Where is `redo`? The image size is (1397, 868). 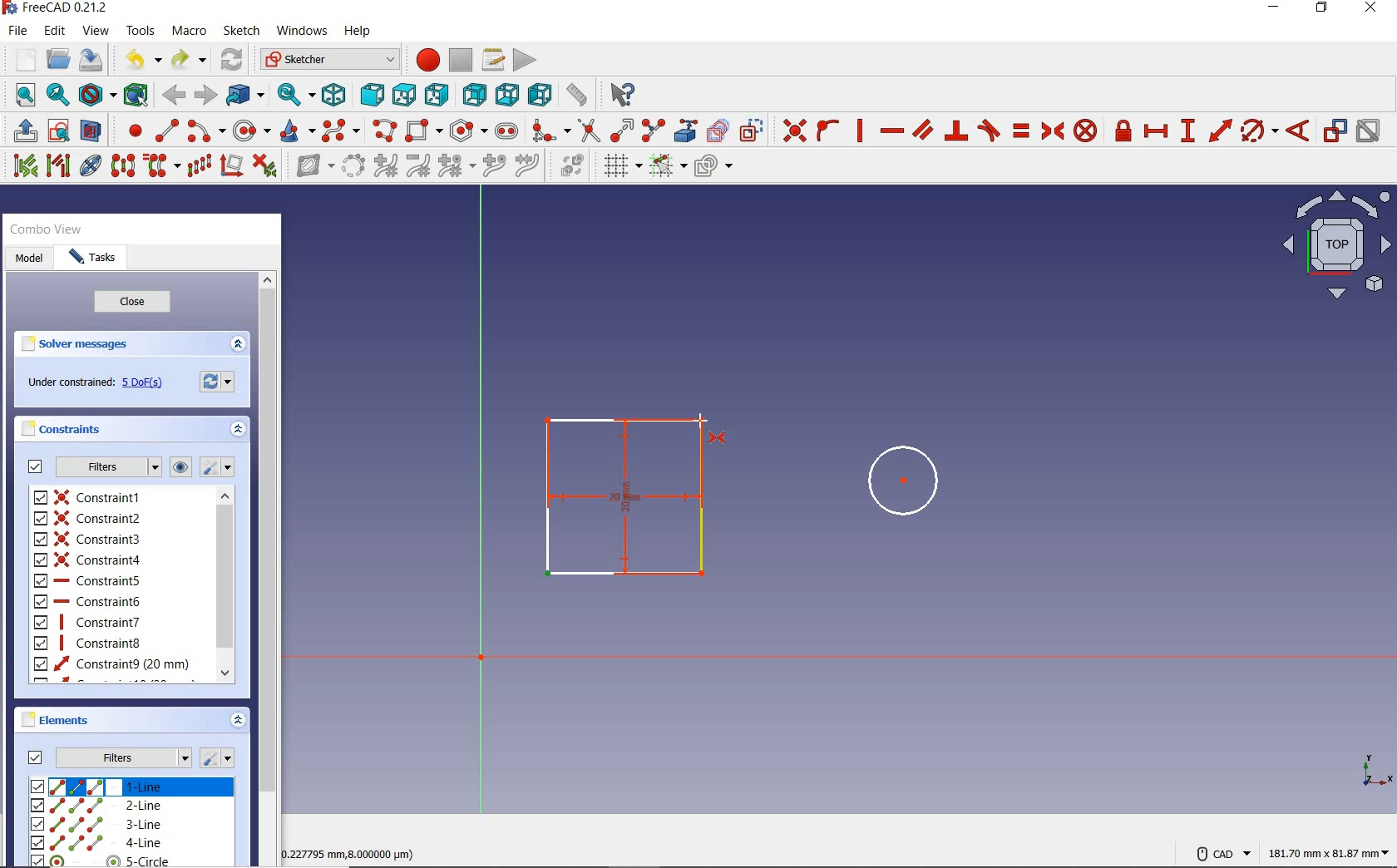 redo is located at coordinates (189, 59).